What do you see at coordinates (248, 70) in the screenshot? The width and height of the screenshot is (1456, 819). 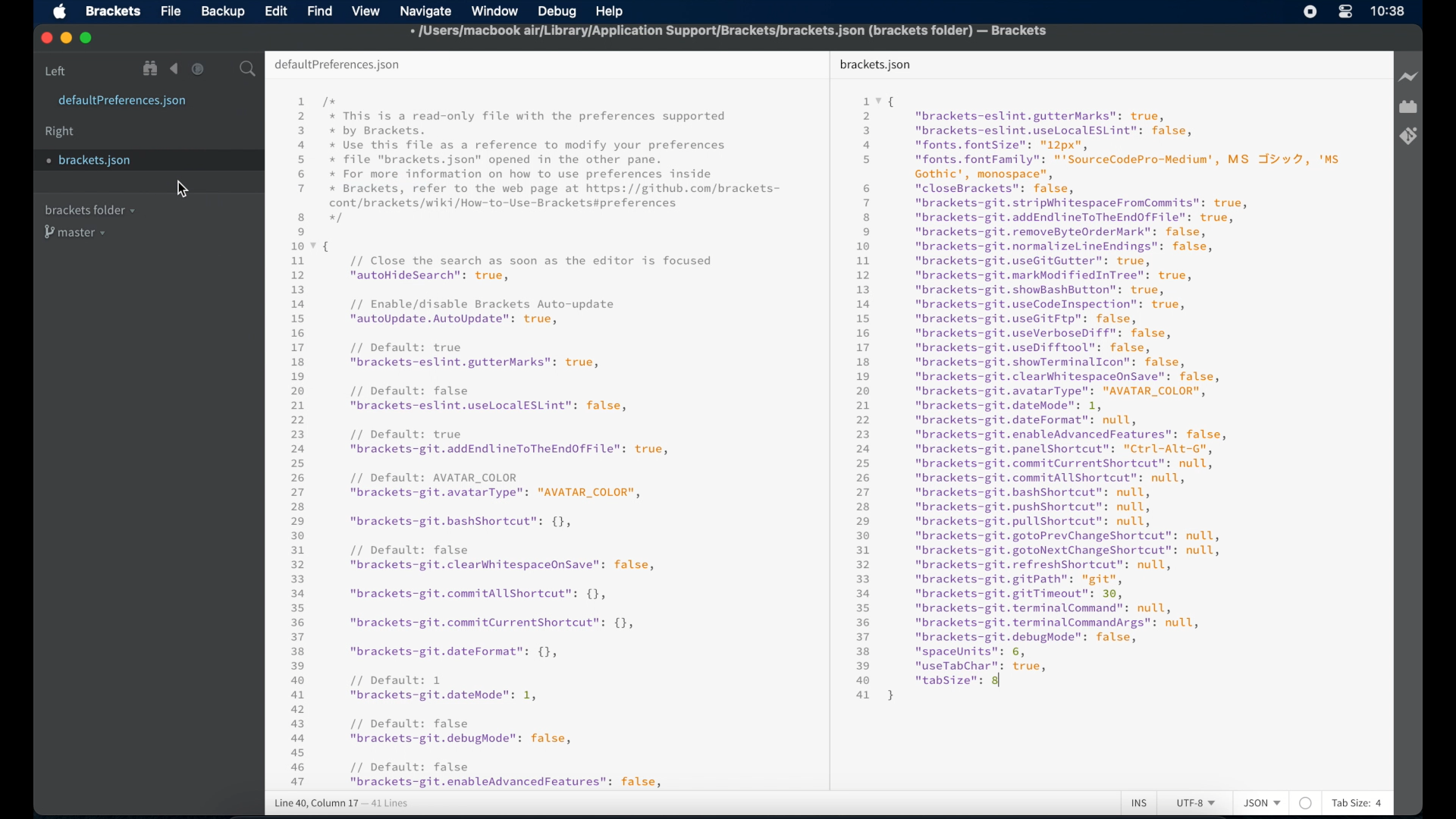 I see `search bar` at bounding box center [248, 70].